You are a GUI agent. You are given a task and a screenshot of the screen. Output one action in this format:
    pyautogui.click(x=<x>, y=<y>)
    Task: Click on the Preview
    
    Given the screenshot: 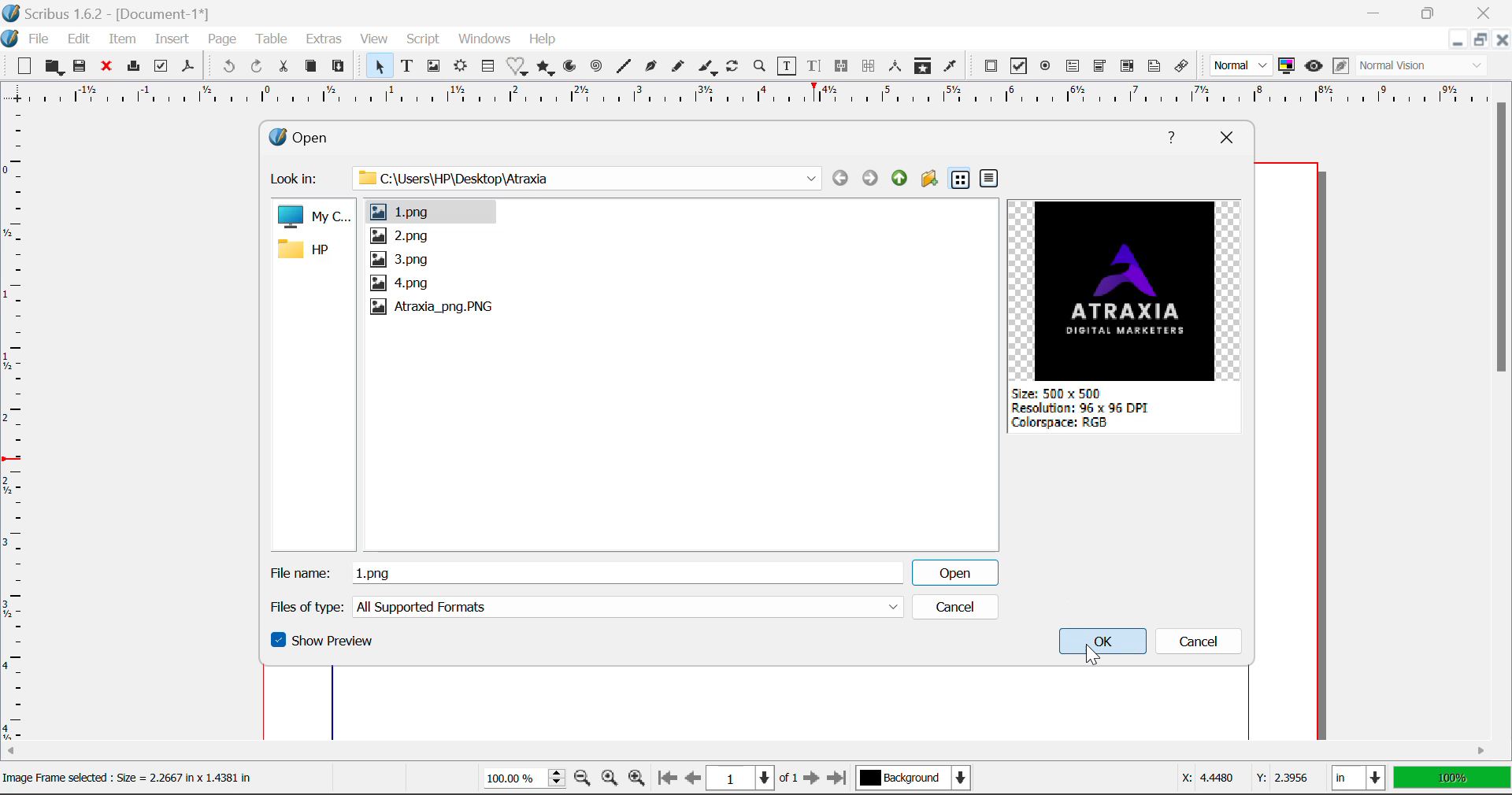 What is the action you would take?
    pyautogui.click(x=1131, y=290)
    